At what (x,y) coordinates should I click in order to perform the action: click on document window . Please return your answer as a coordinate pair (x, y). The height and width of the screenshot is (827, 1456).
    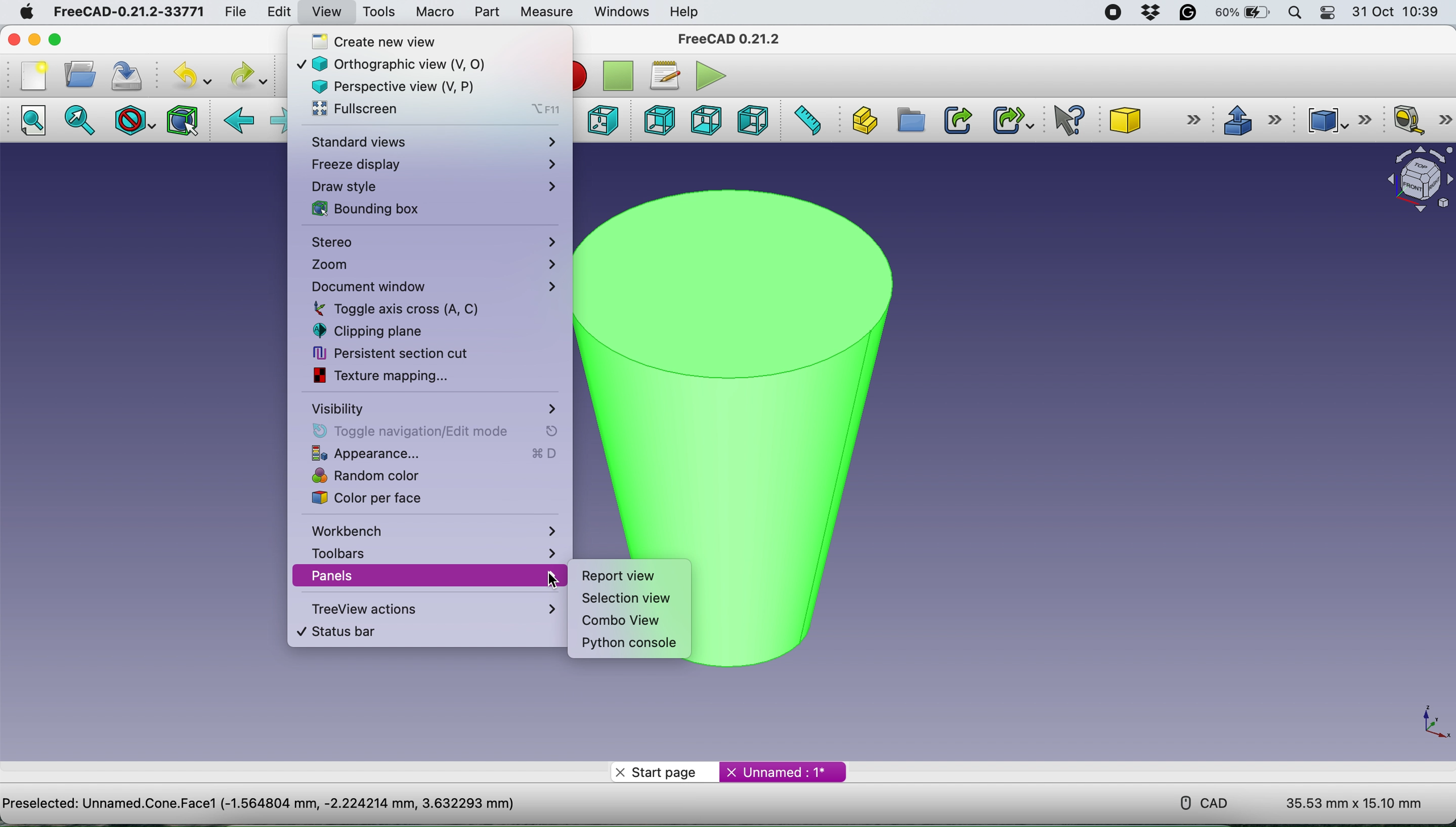
    Looking at the image, I should click on (431, 287).